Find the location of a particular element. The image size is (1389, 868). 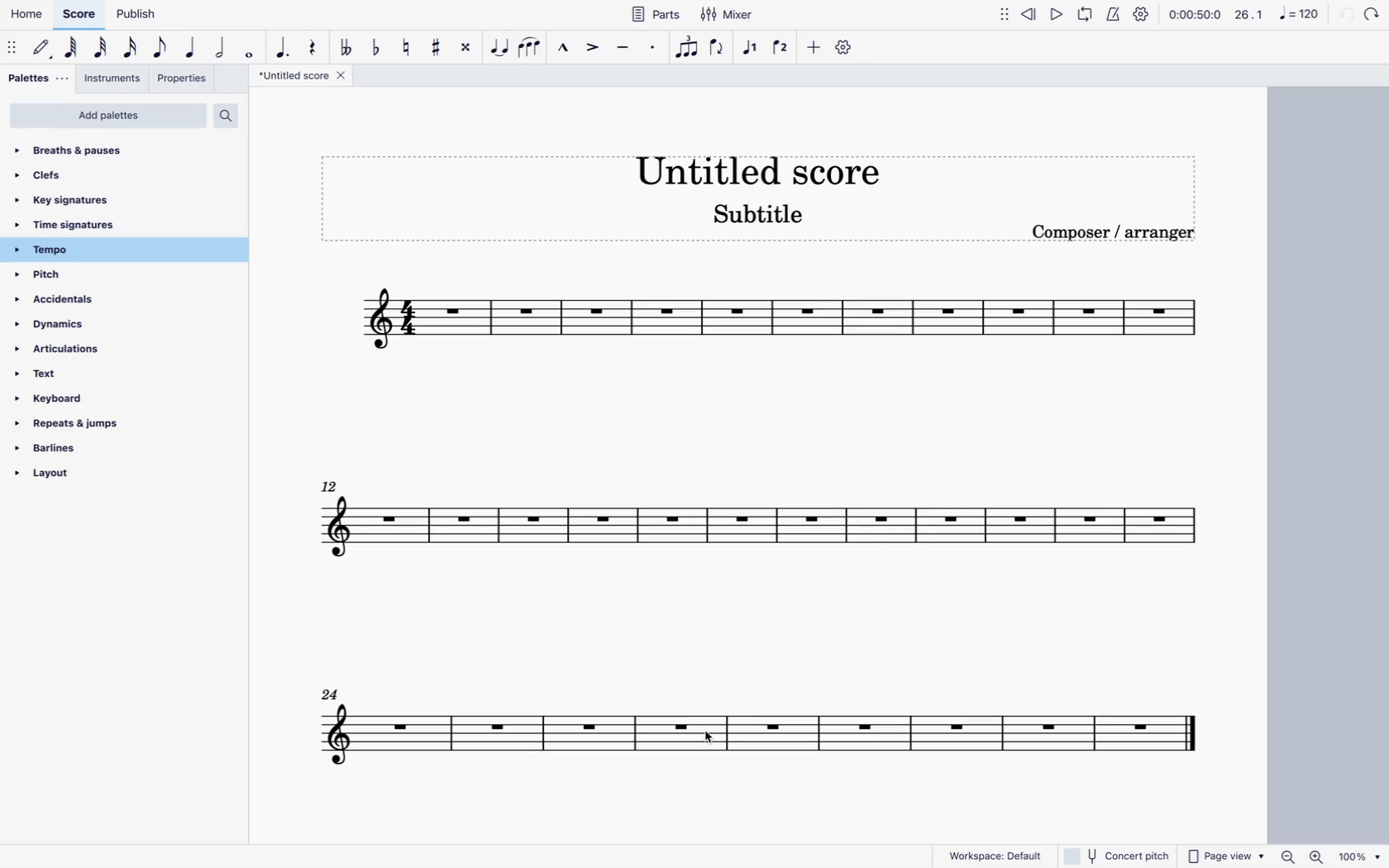

score is located at coordinates (760, 534).